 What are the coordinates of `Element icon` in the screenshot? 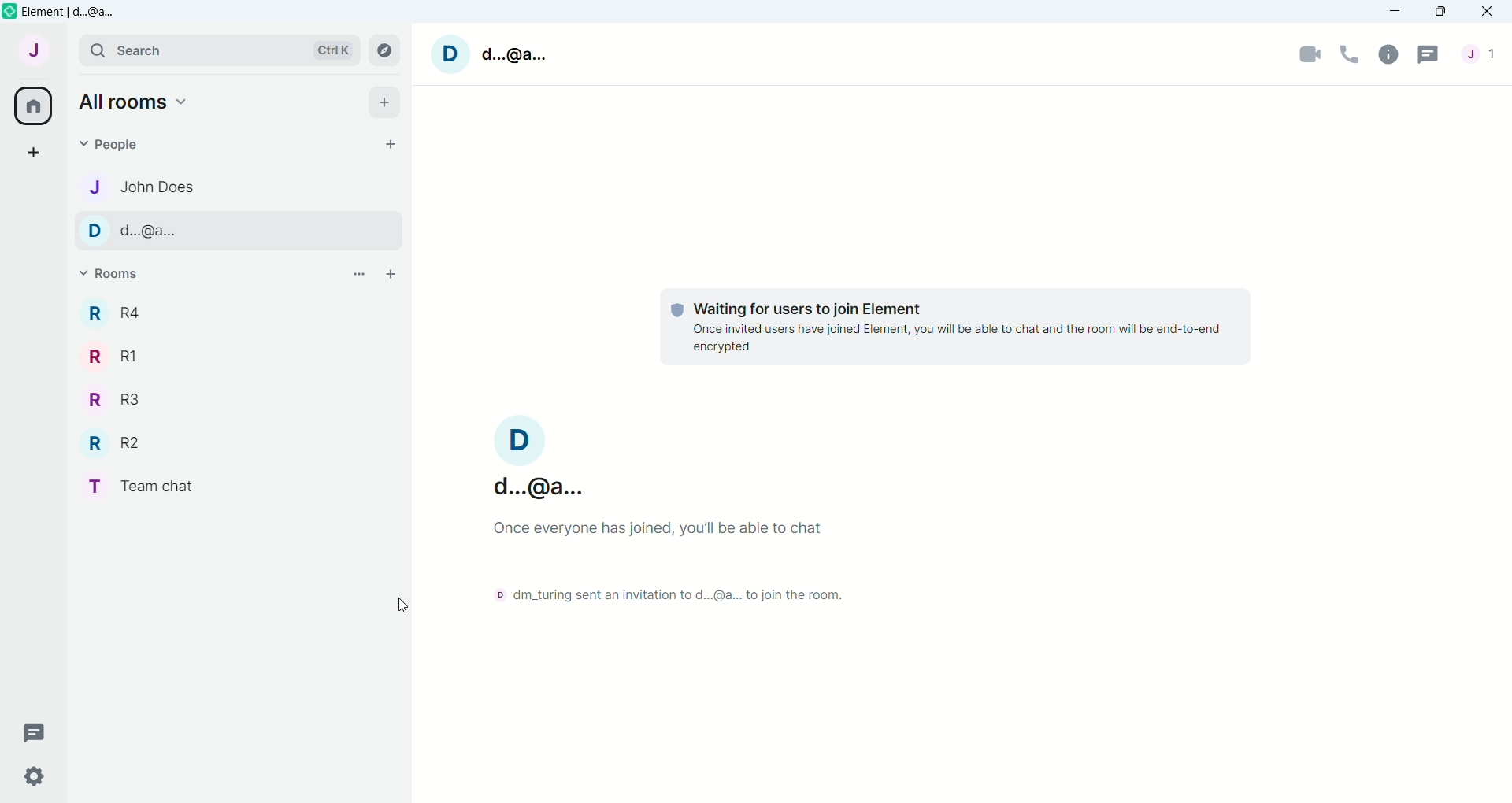 It's located at (9, 11).